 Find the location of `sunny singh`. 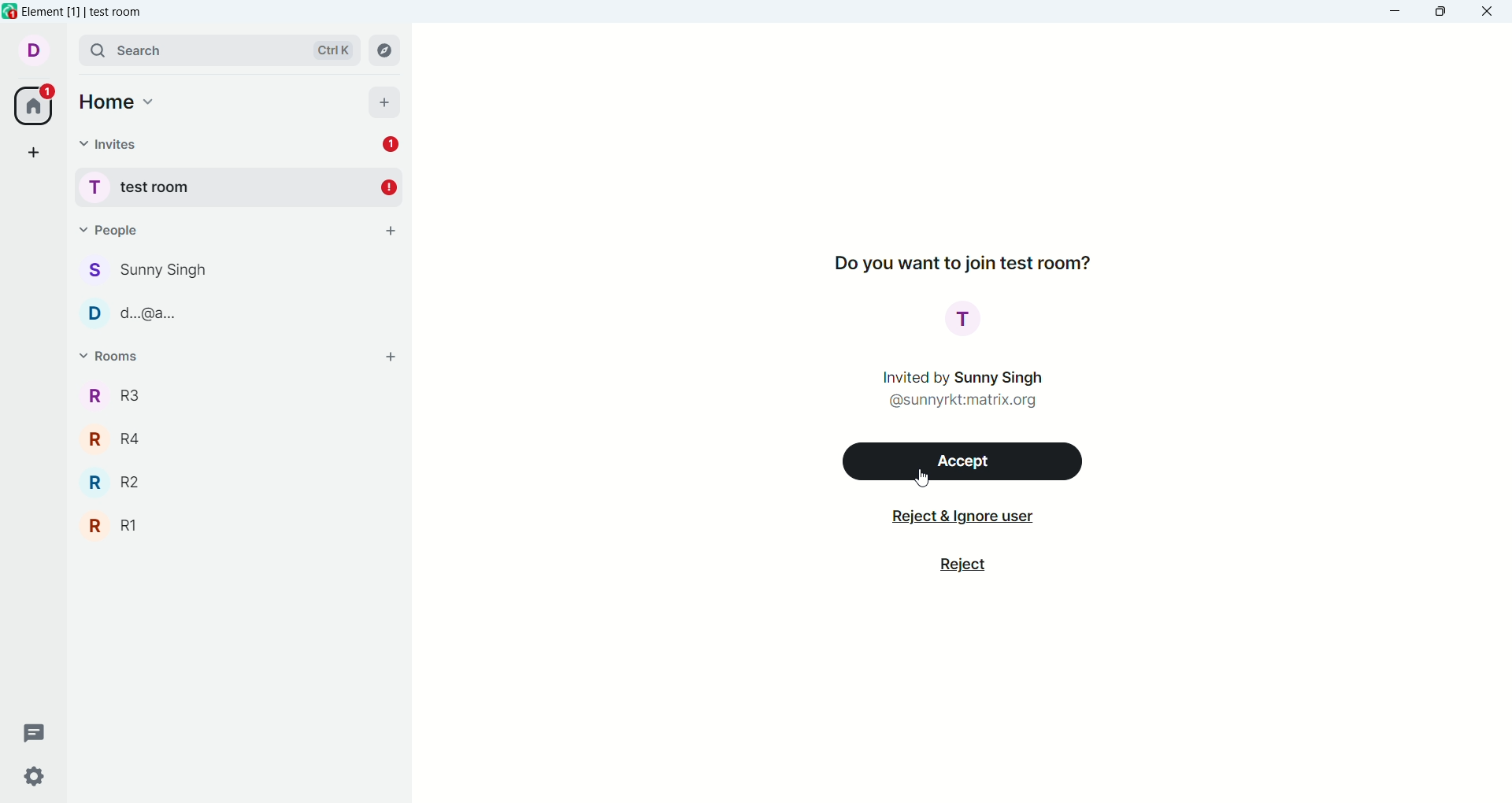

sunny singh is located at coordinates (240, 271).